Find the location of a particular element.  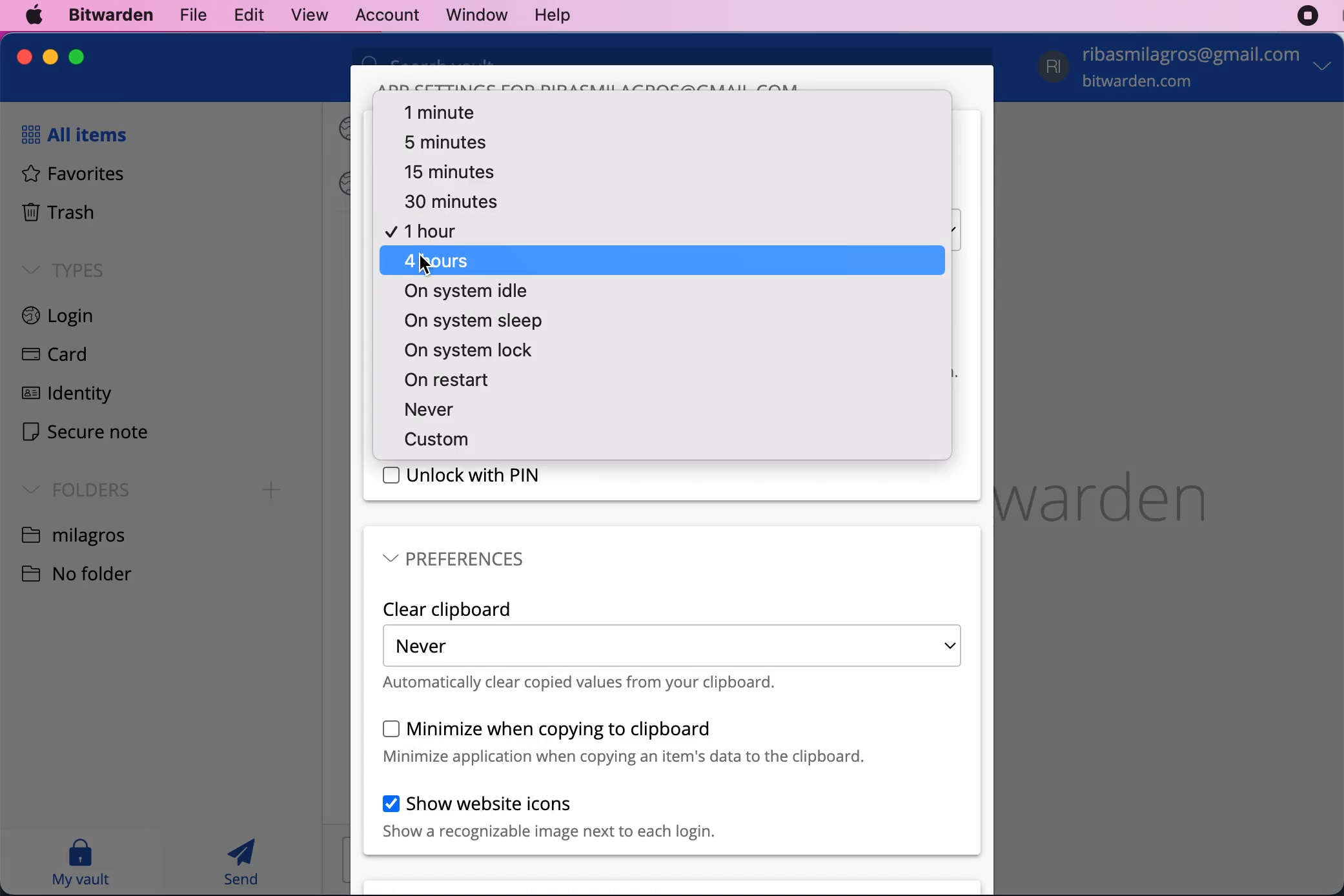

login is located at coordinates (74, 318).